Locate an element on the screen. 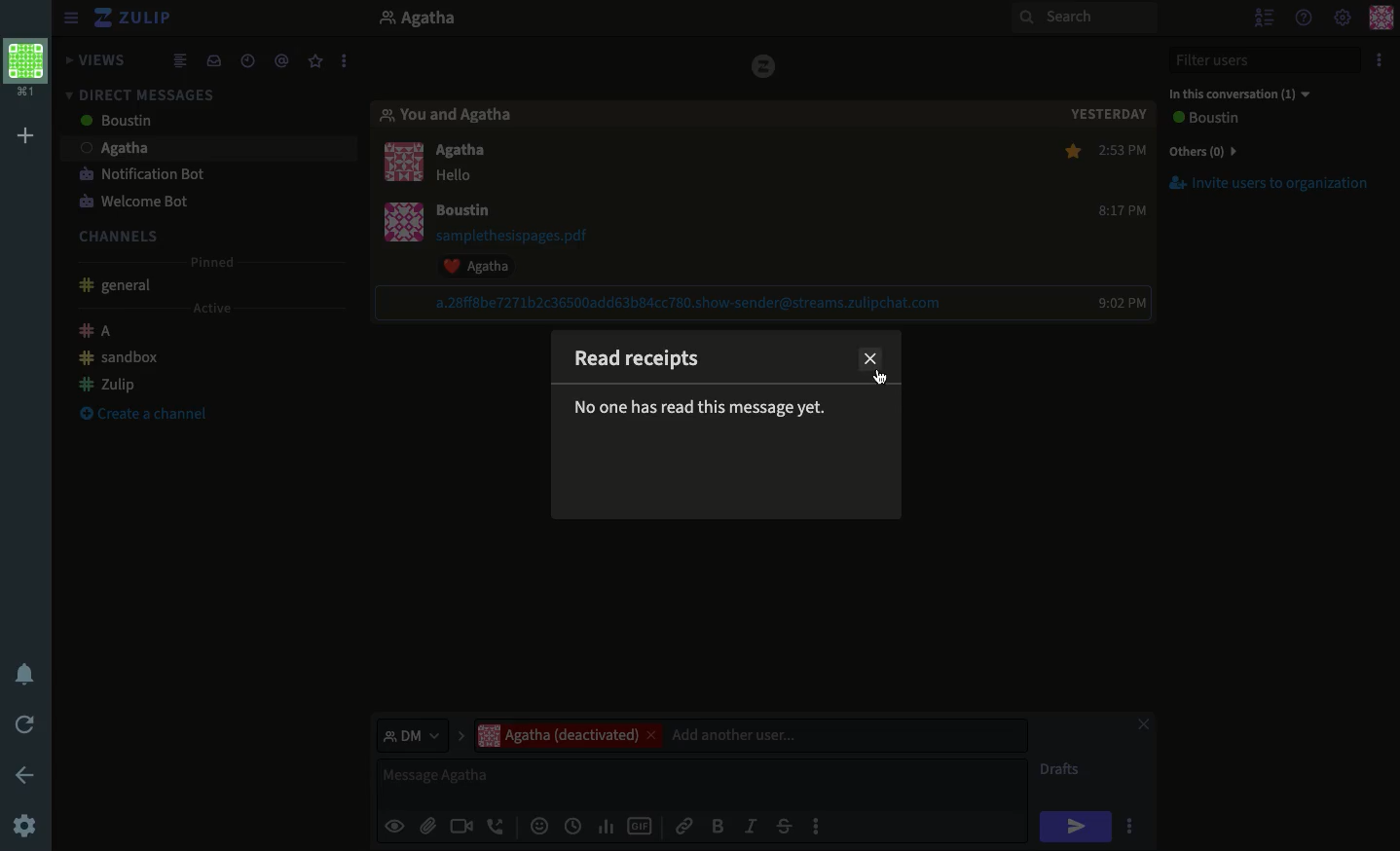 The height and width of the screenshot is (851, 1400). Italics is located at coordinates (751, 825).